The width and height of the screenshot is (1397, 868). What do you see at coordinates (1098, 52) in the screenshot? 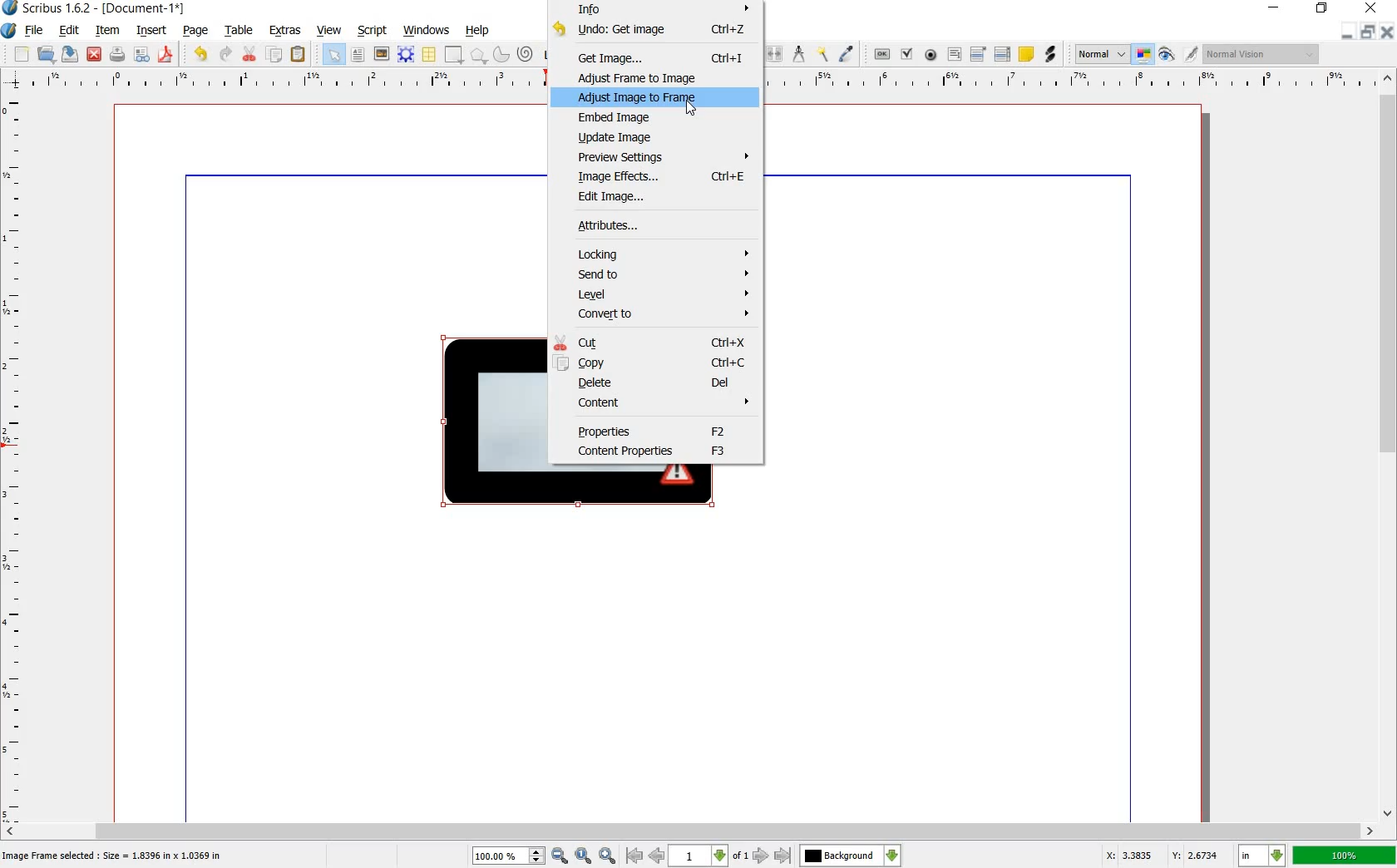
I see `select the image preview quality` at bounding box center [1098, 52].